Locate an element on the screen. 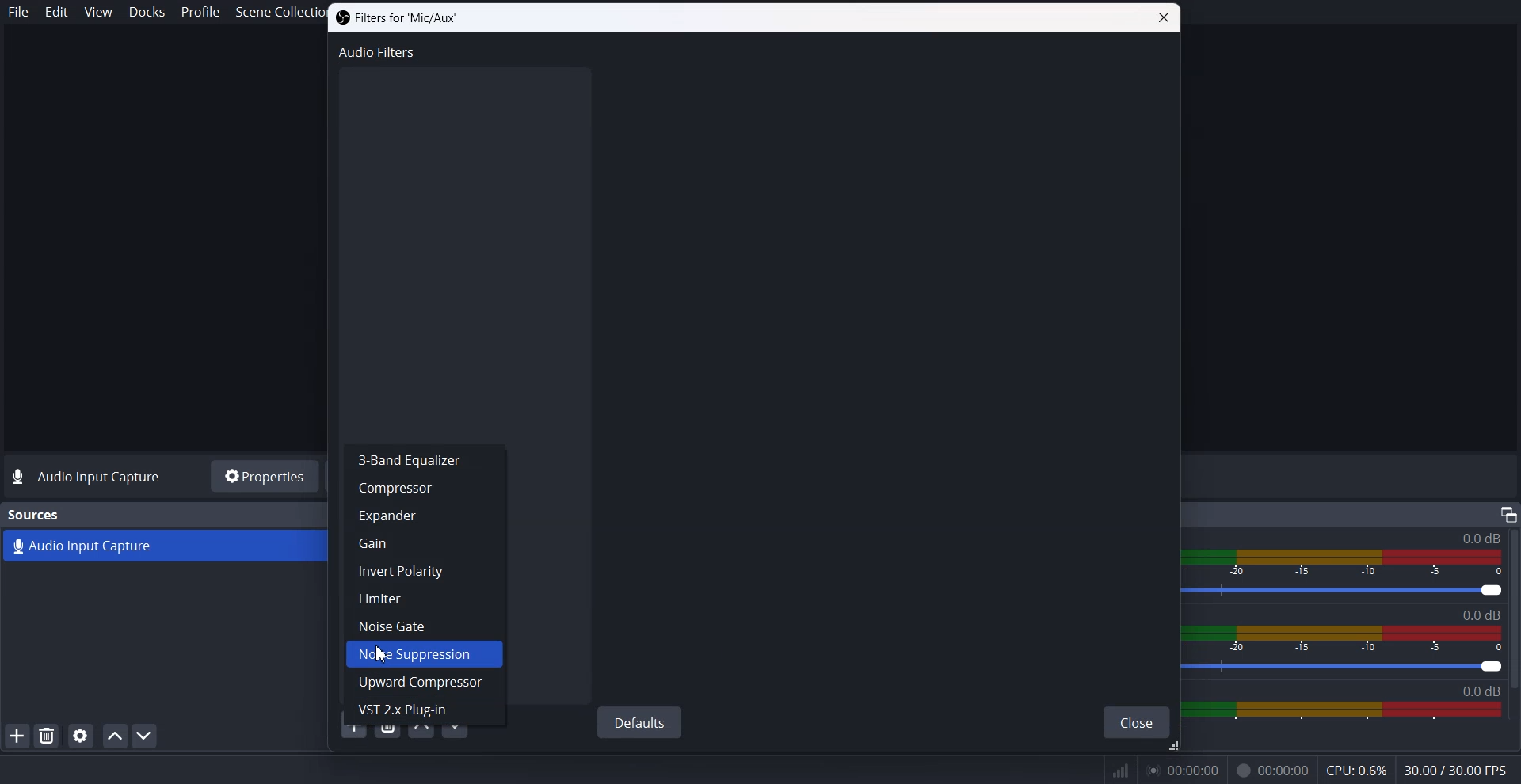  Profile is located at coordinates (200, 12).